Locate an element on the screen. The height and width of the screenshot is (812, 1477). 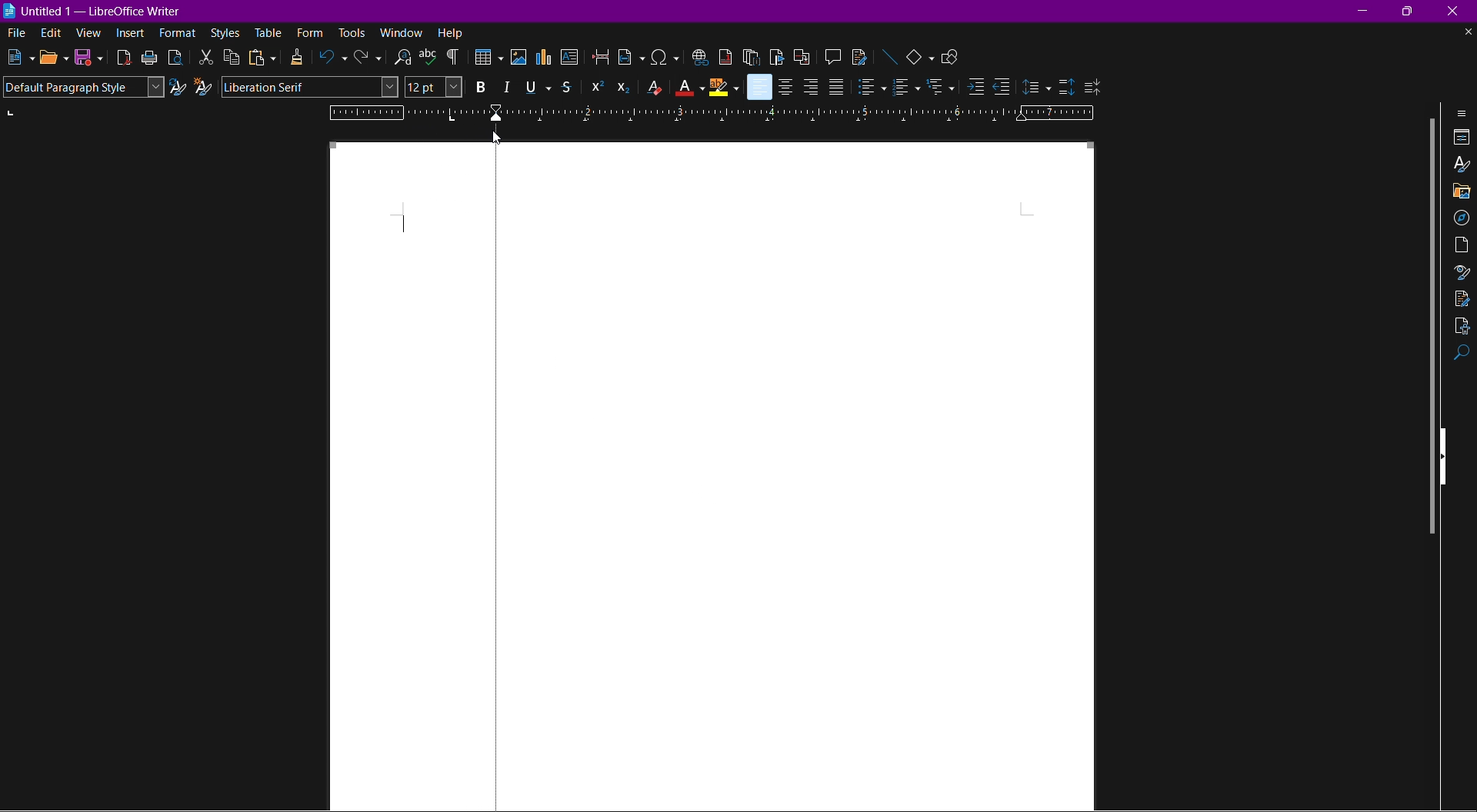
hide sidebar is located at coordinates (1448, 454).